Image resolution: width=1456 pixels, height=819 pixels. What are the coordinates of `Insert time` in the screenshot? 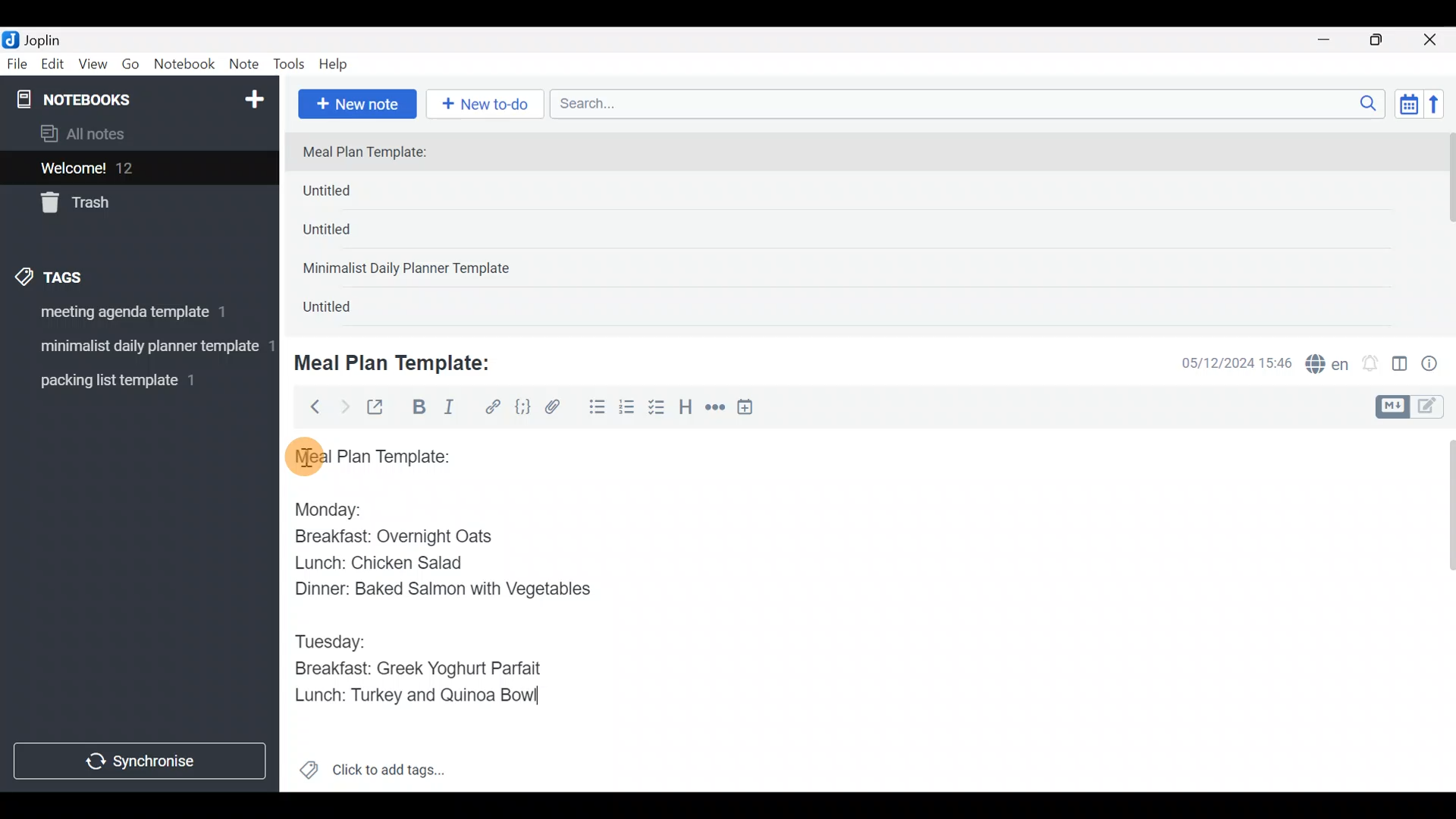 It's located at (752, 409).